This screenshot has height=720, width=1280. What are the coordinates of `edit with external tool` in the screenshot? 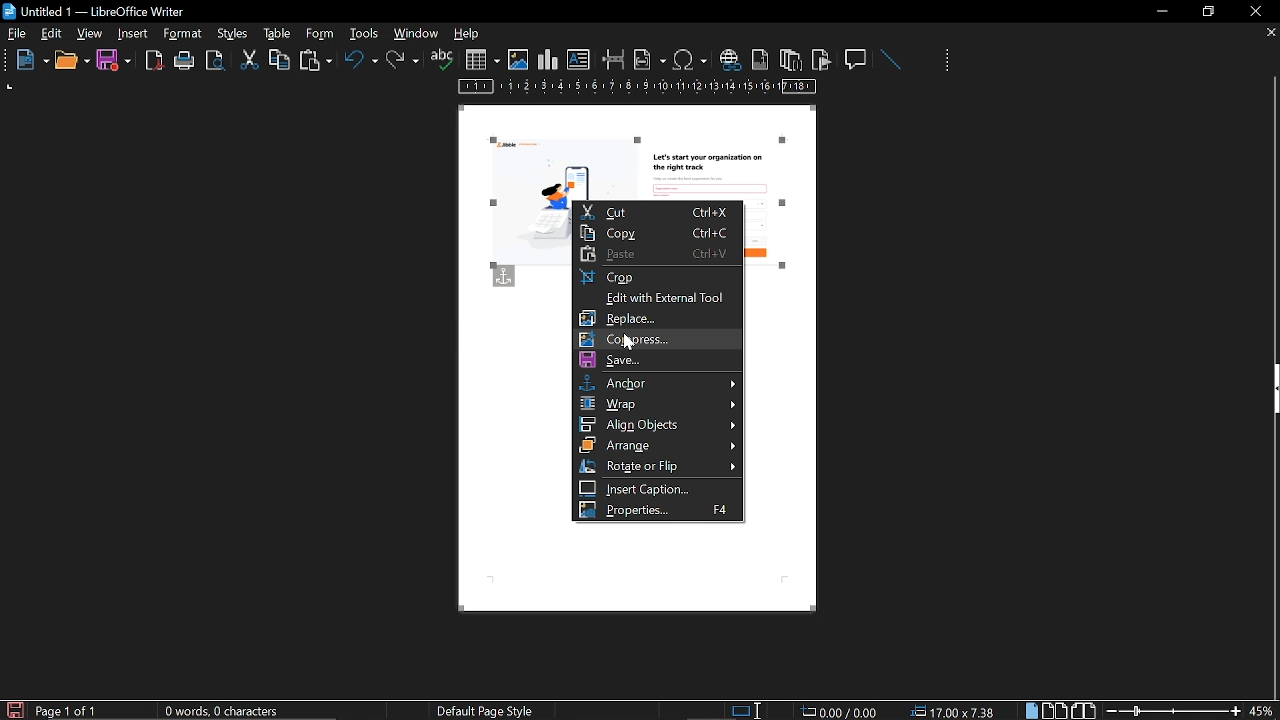 It's located at (658, 298).